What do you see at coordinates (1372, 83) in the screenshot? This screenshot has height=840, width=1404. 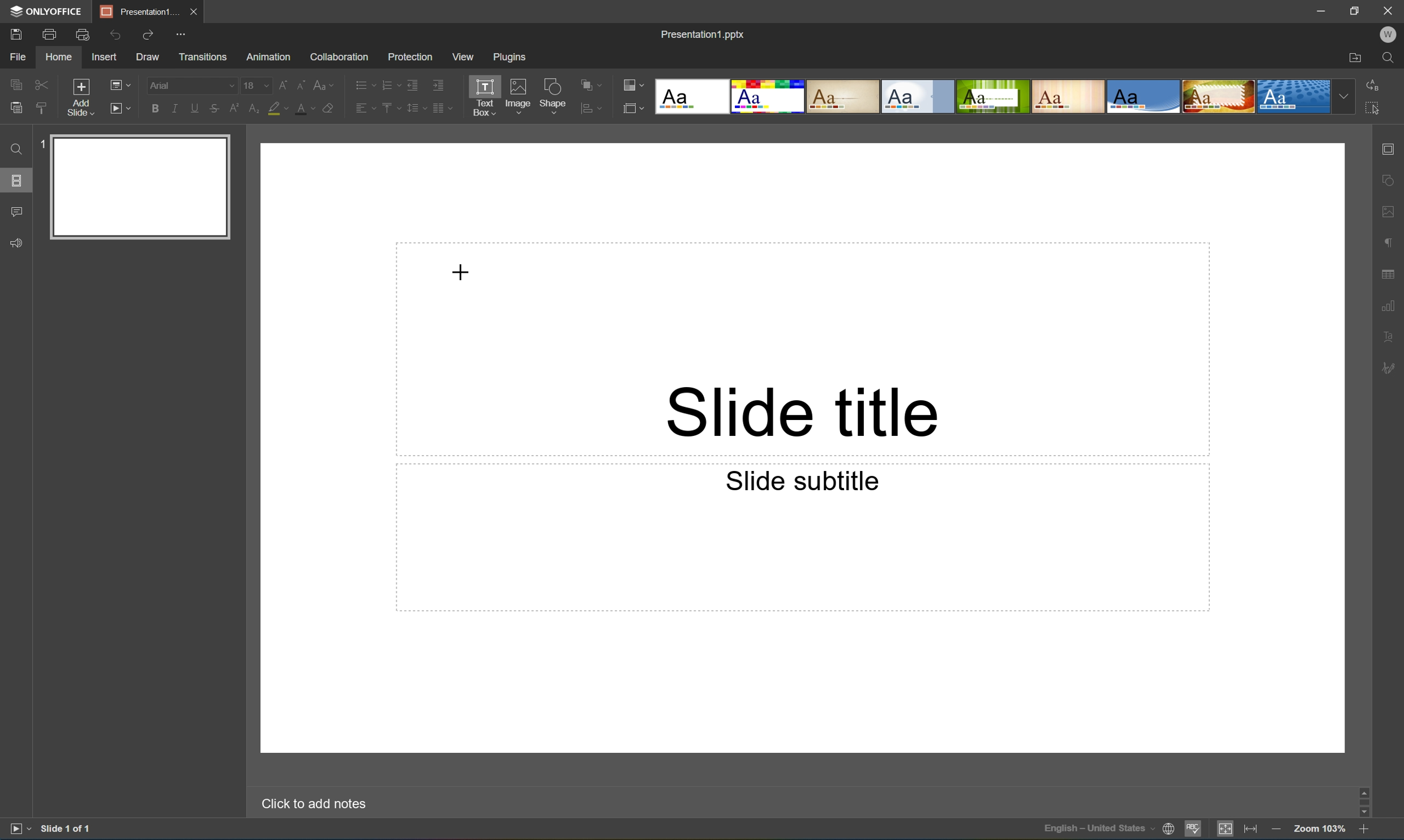 I see `Replace` at bounding box center [1372, 83].